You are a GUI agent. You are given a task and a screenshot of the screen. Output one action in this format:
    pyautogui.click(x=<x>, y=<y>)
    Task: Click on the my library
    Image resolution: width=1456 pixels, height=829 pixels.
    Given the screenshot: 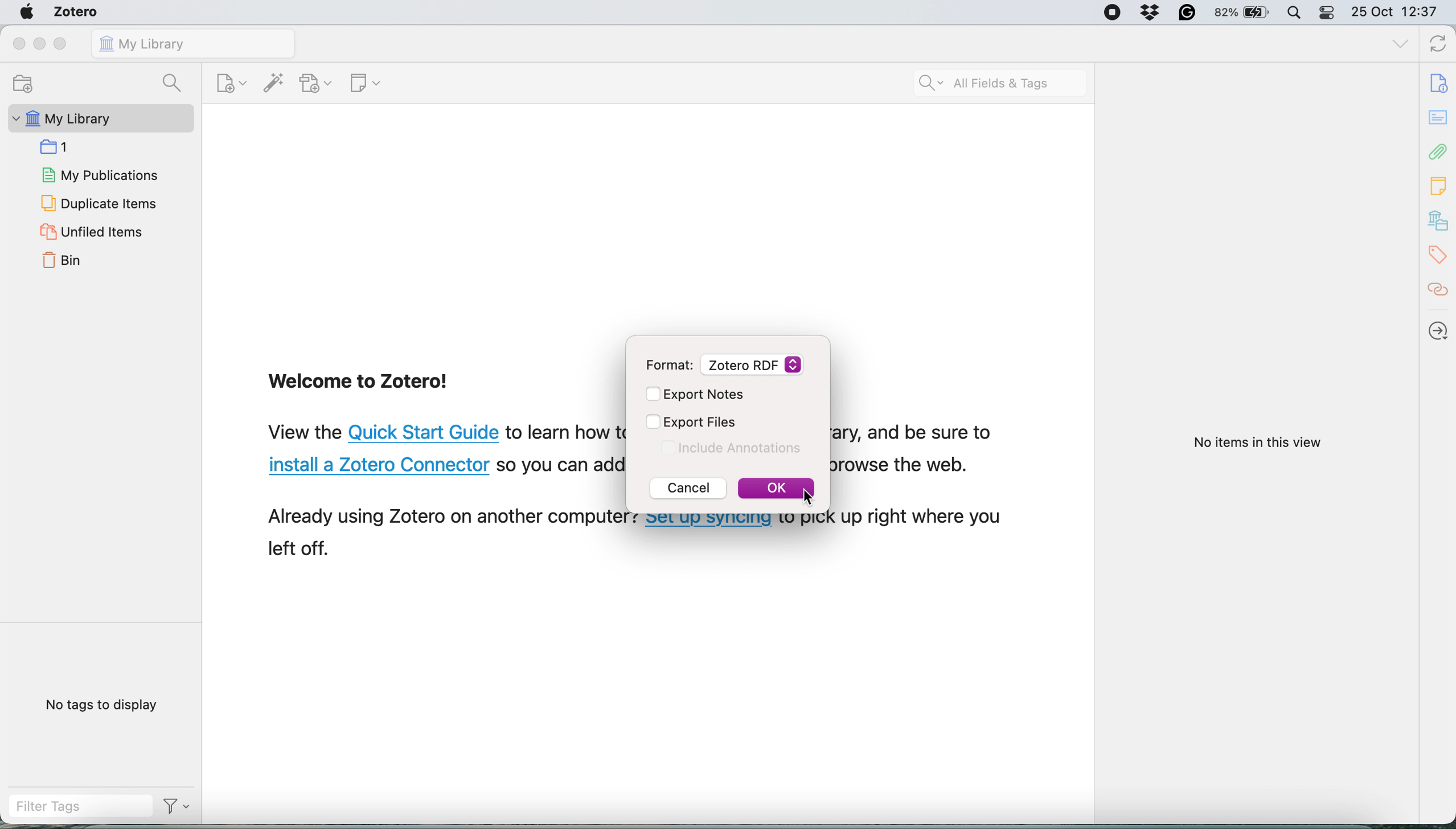 What is the action you would take?
    pyautogui.click(x=1439, y=219)
    